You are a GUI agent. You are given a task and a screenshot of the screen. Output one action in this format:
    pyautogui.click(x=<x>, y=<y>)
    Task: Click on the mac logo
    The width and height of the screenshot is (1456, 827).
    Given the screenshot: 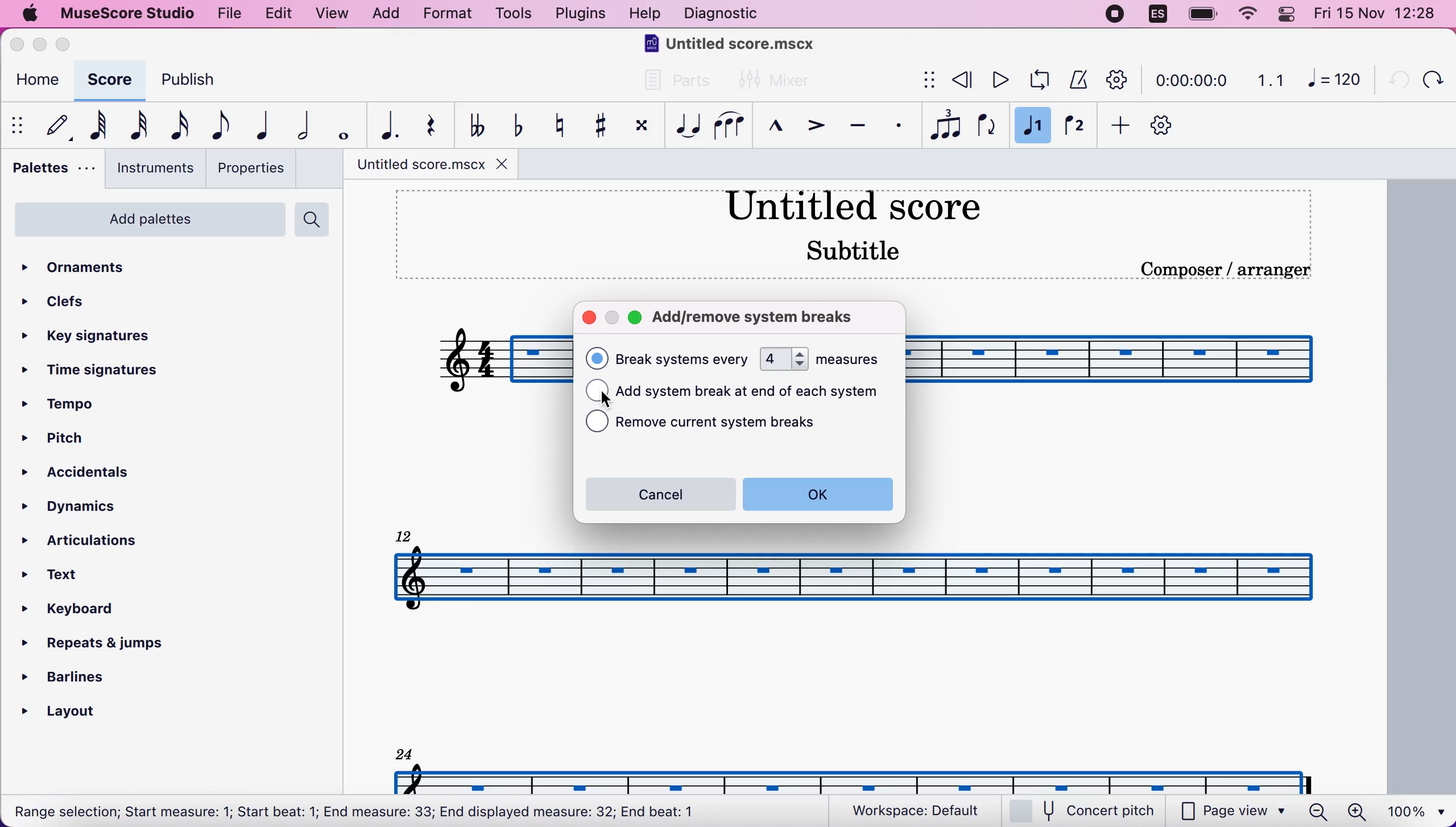 What is the action you would take?
    pyautogui.click(x=28, y=15)
    